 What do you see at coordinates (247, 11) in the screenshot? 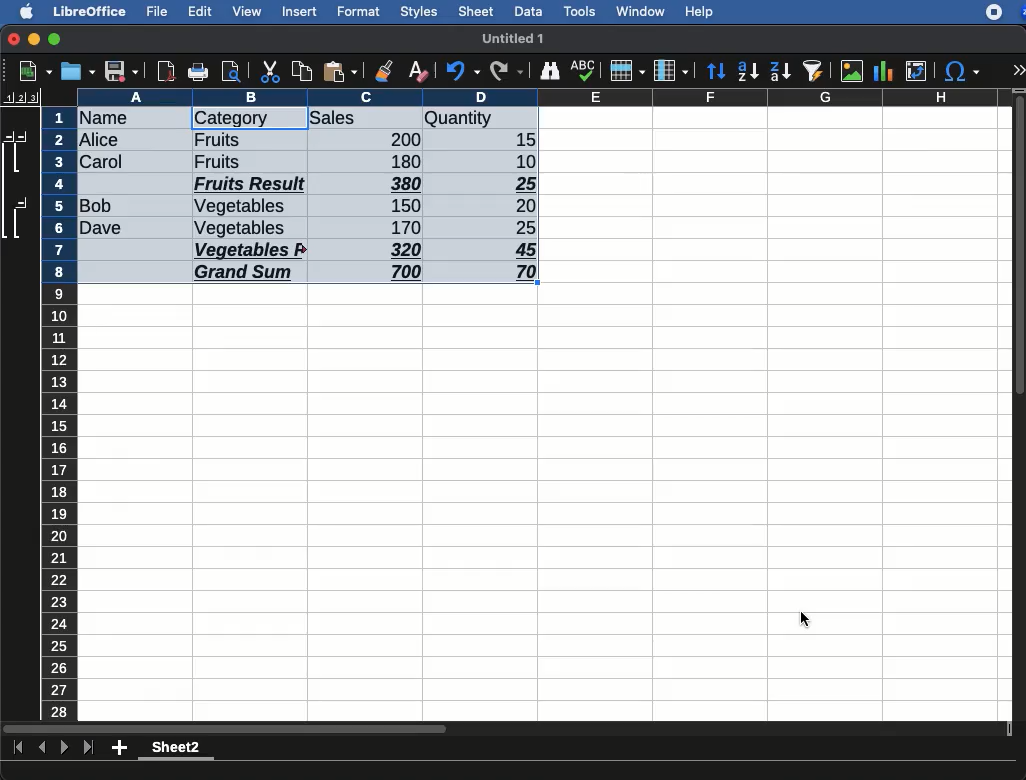
I see `view` at bounding box center [247, 11].